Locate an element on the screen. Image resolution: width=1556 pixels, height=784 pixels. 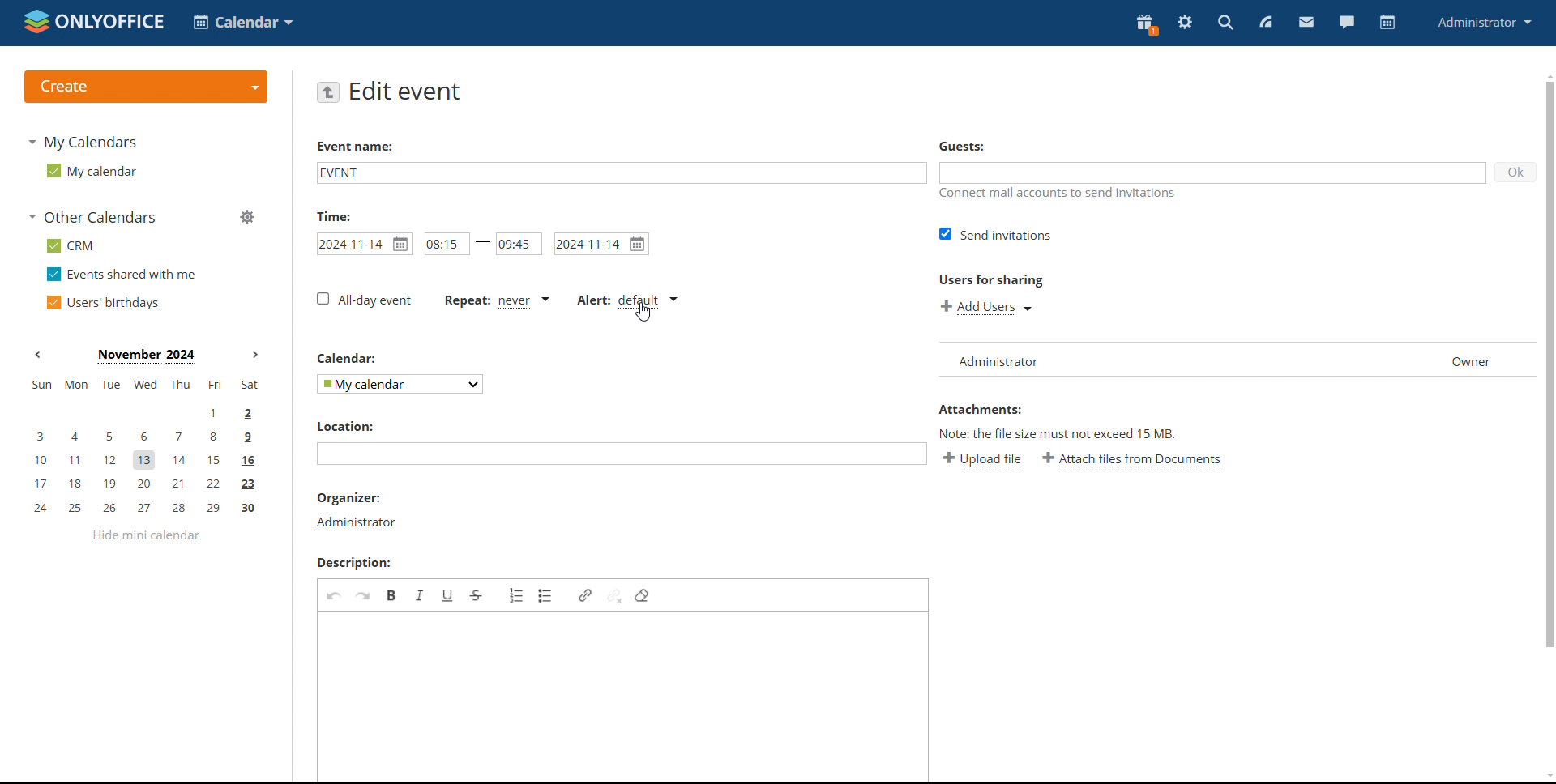
scroll up is located at coordinates (1546, 75).